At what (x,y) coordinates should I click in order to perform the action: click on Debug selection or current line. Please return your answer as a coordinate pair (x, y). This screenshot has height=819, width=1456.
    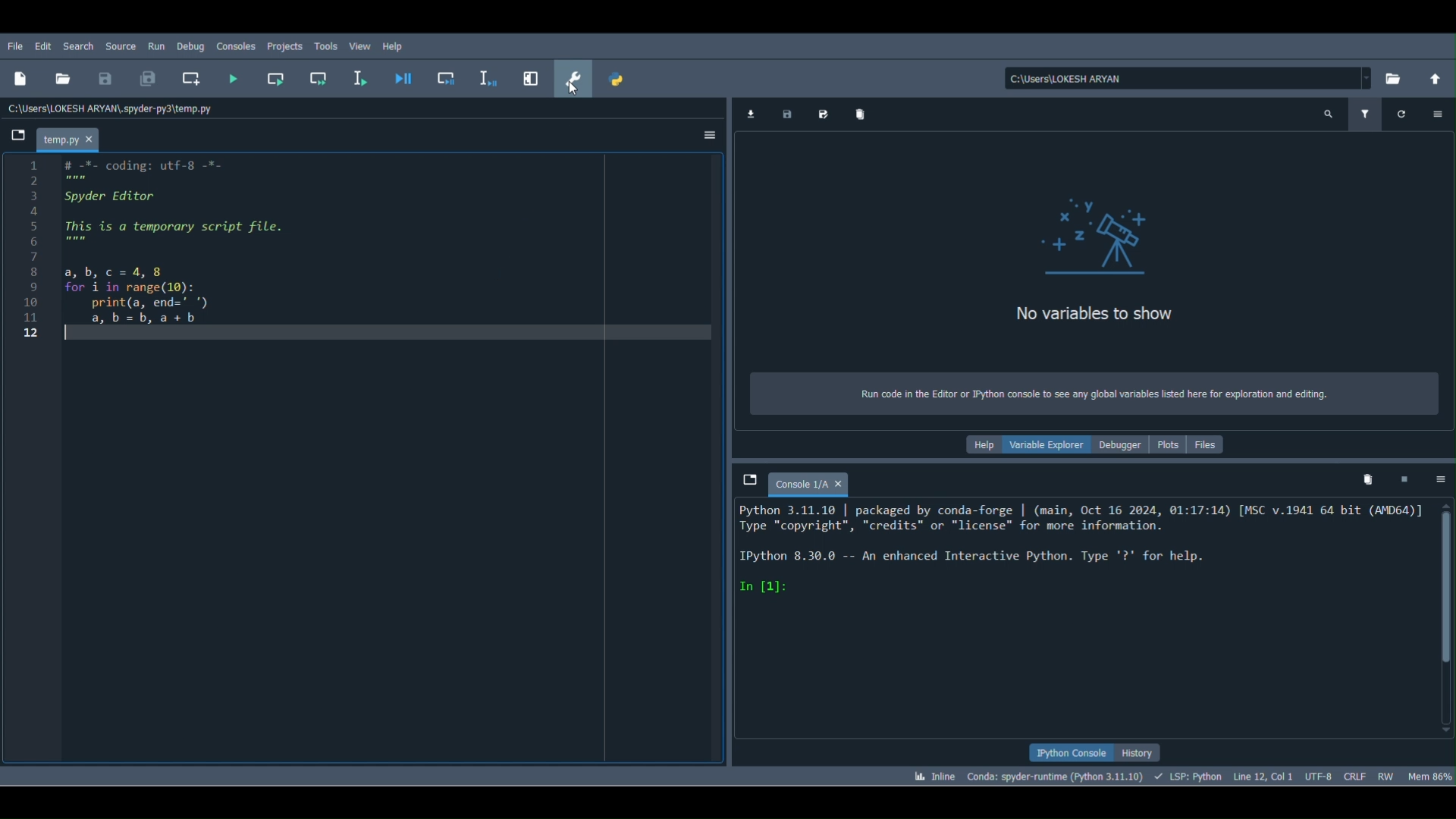
    Looking at the image, I should click on (490, 80).